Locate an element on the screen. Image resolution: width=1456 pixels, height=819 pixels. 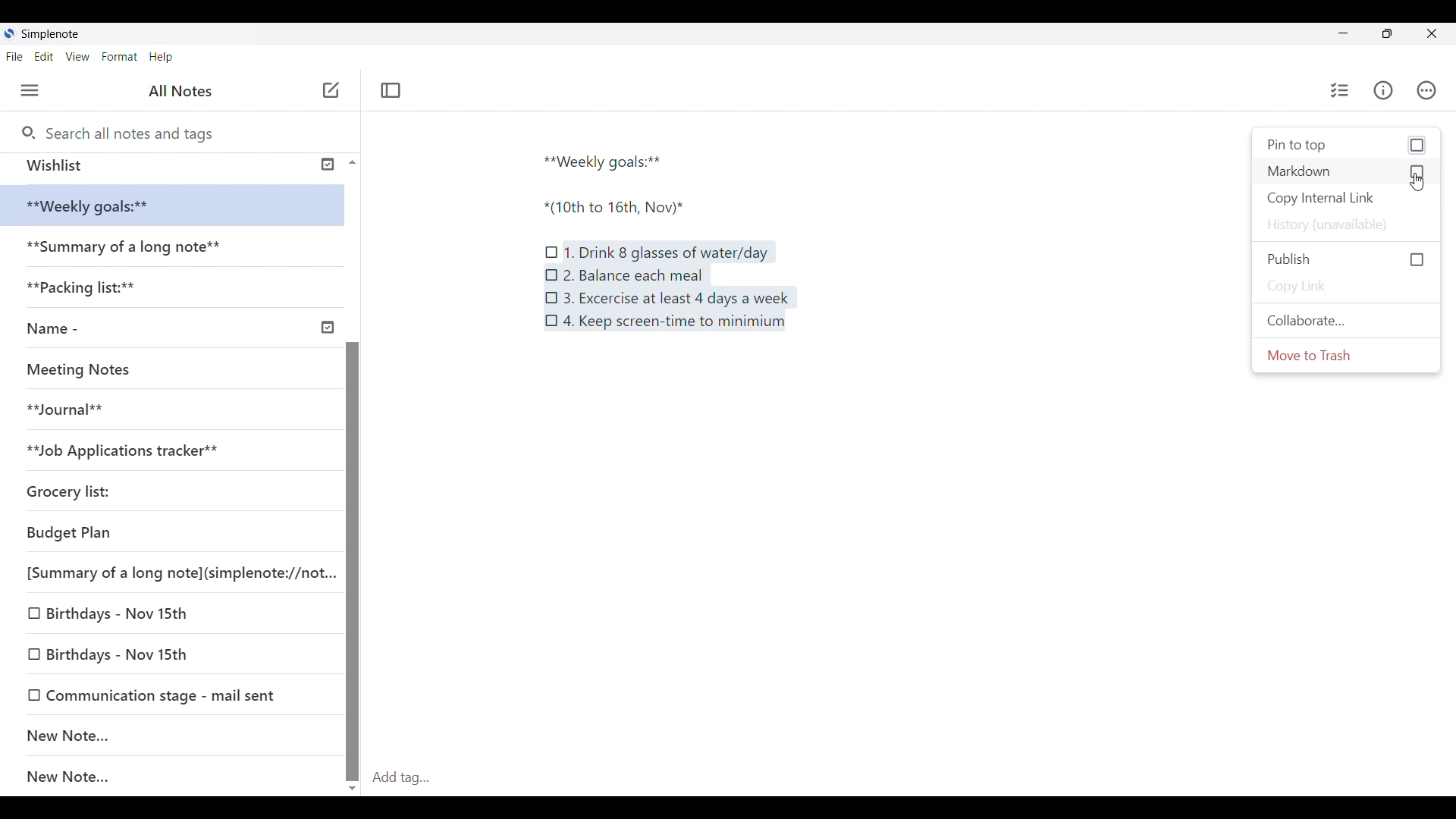
restore is located at coordinates (1400, 36).